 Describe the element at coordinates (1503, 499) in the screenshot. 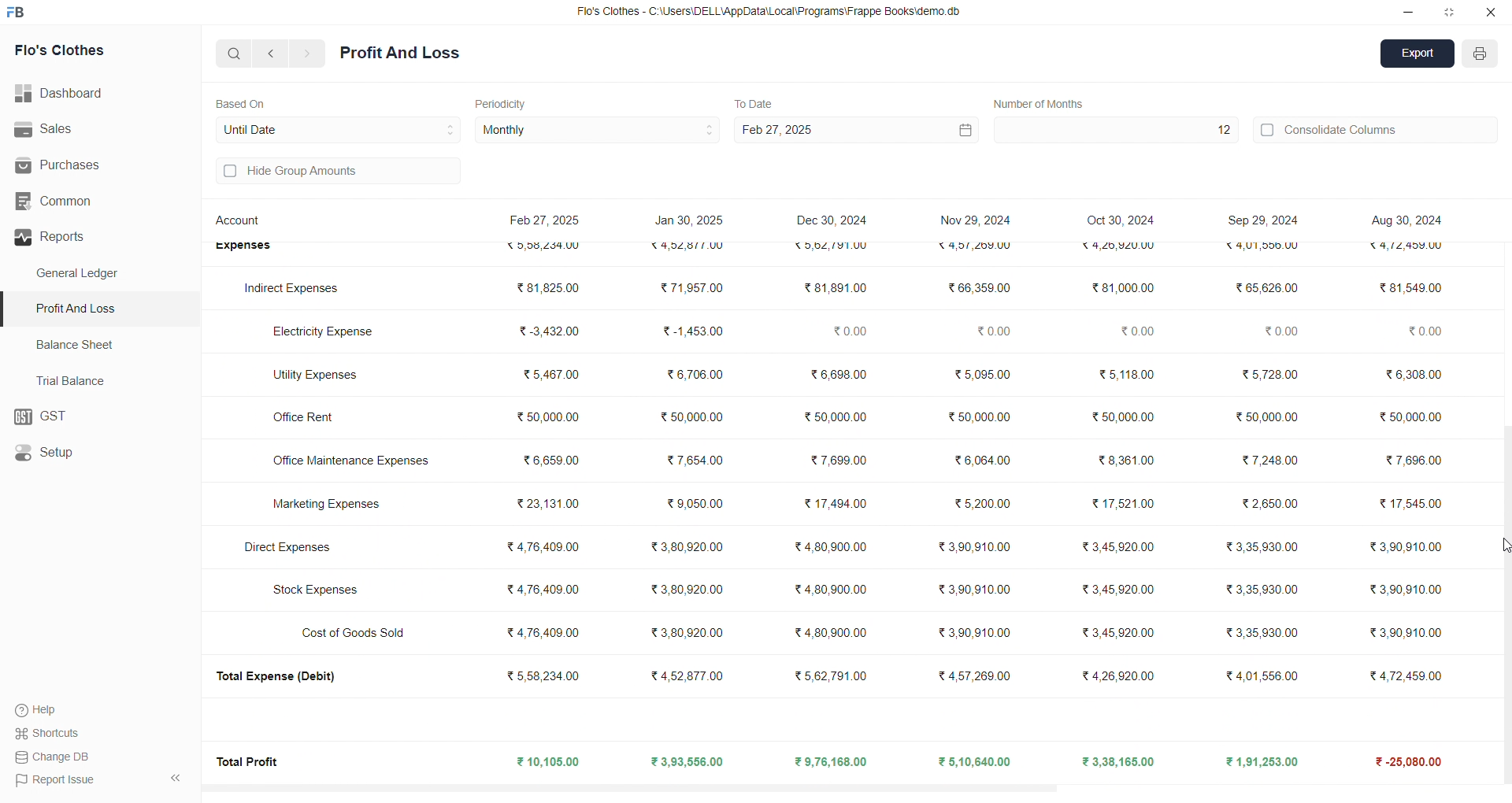

I see `vertical scroll bar` at that location.